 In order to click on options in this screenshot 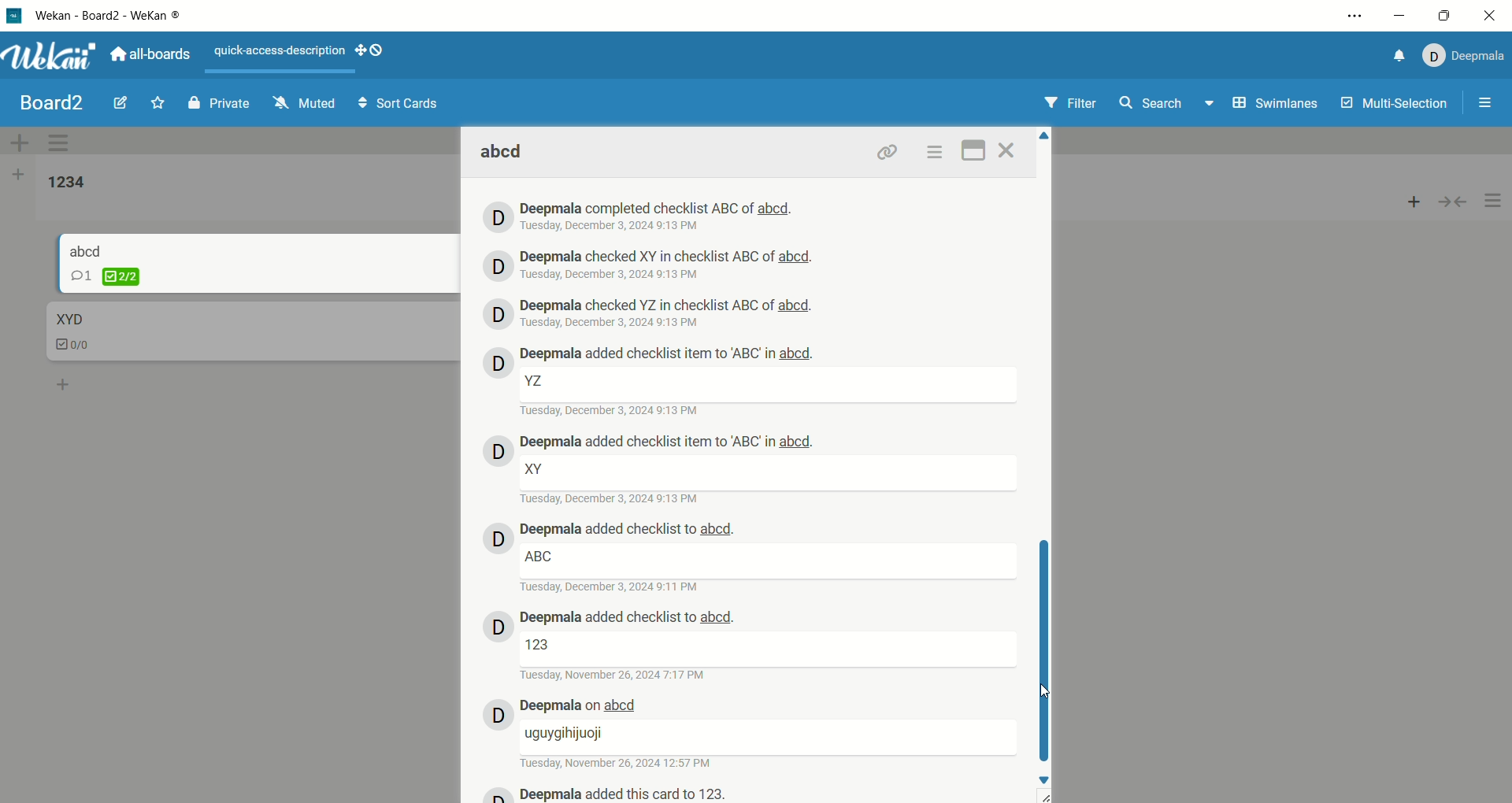, I will do `click(1494, 202)`.